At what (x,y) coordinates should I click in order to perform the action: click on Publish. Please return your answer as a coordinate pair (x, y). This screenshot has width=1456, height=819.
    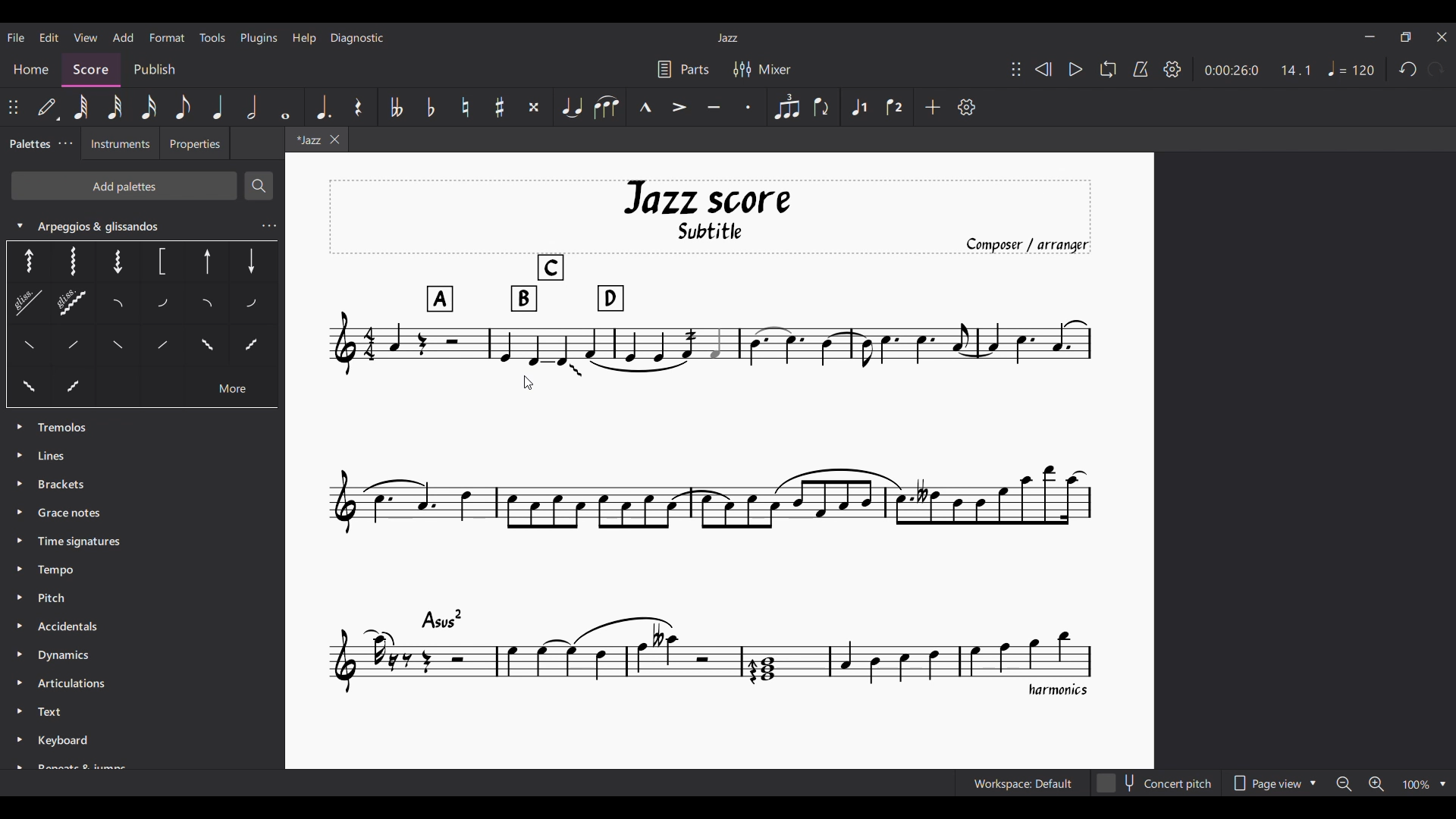
    Looking at the image, I should click on (155, 67).